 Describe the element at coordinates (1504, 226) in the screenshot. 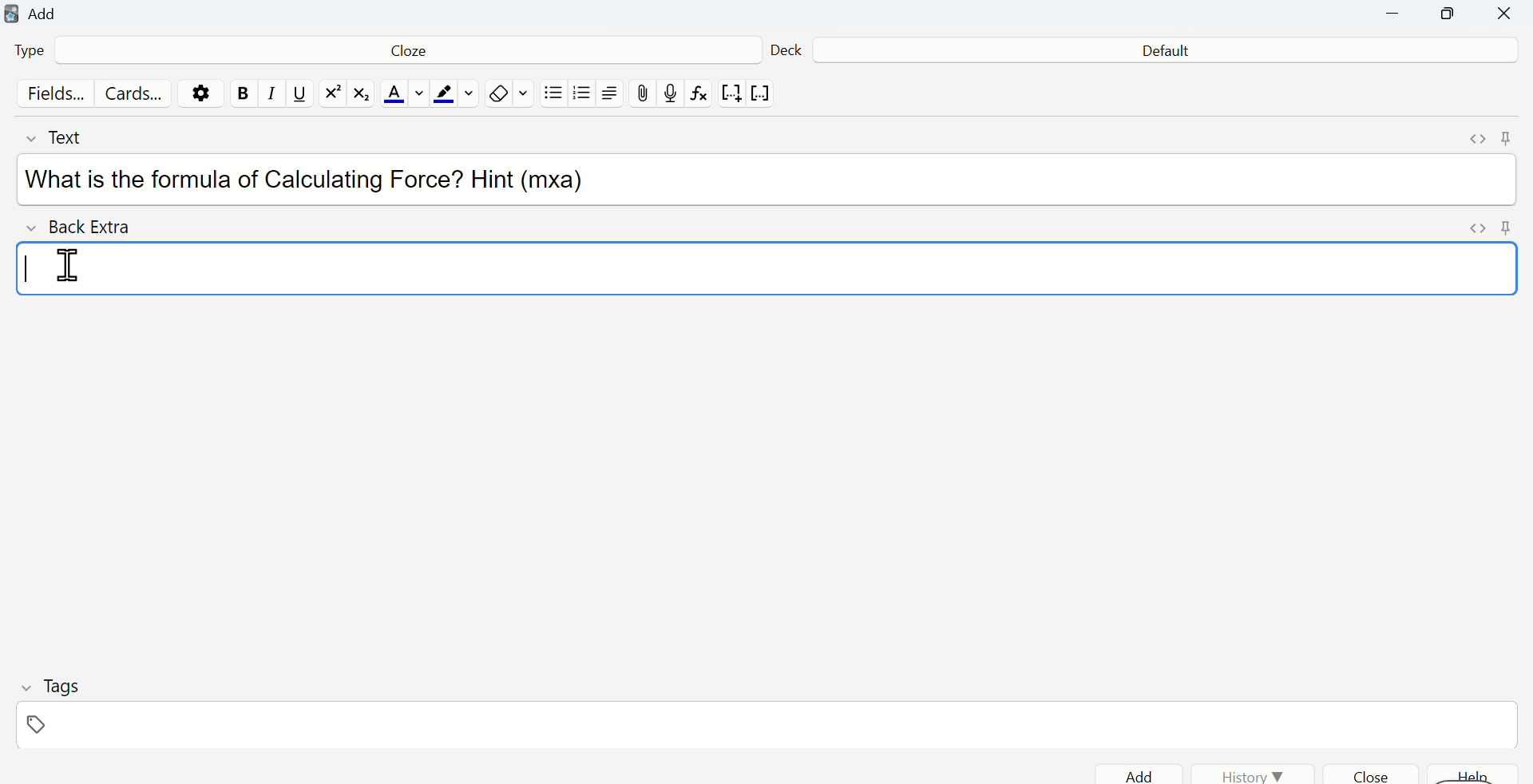

I see `Pin` at that location.